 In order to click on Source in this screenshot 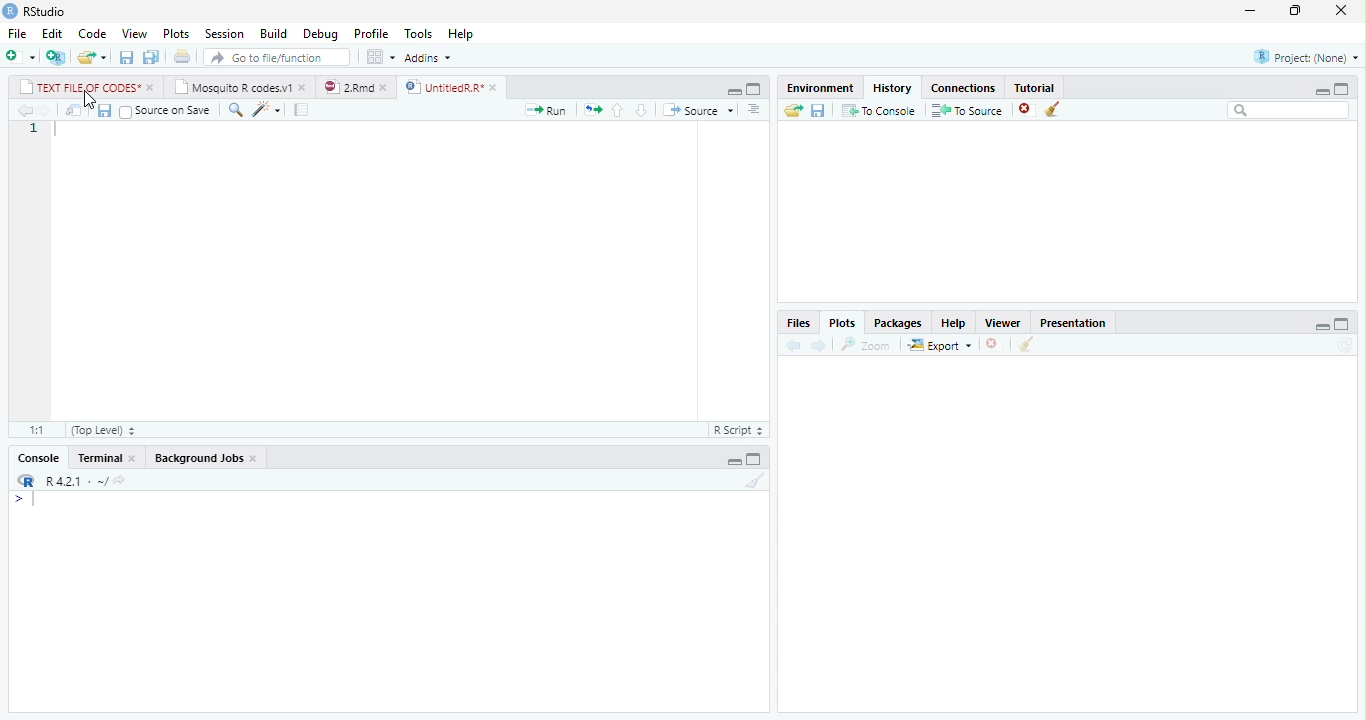, I will do `click(697, 110)`.